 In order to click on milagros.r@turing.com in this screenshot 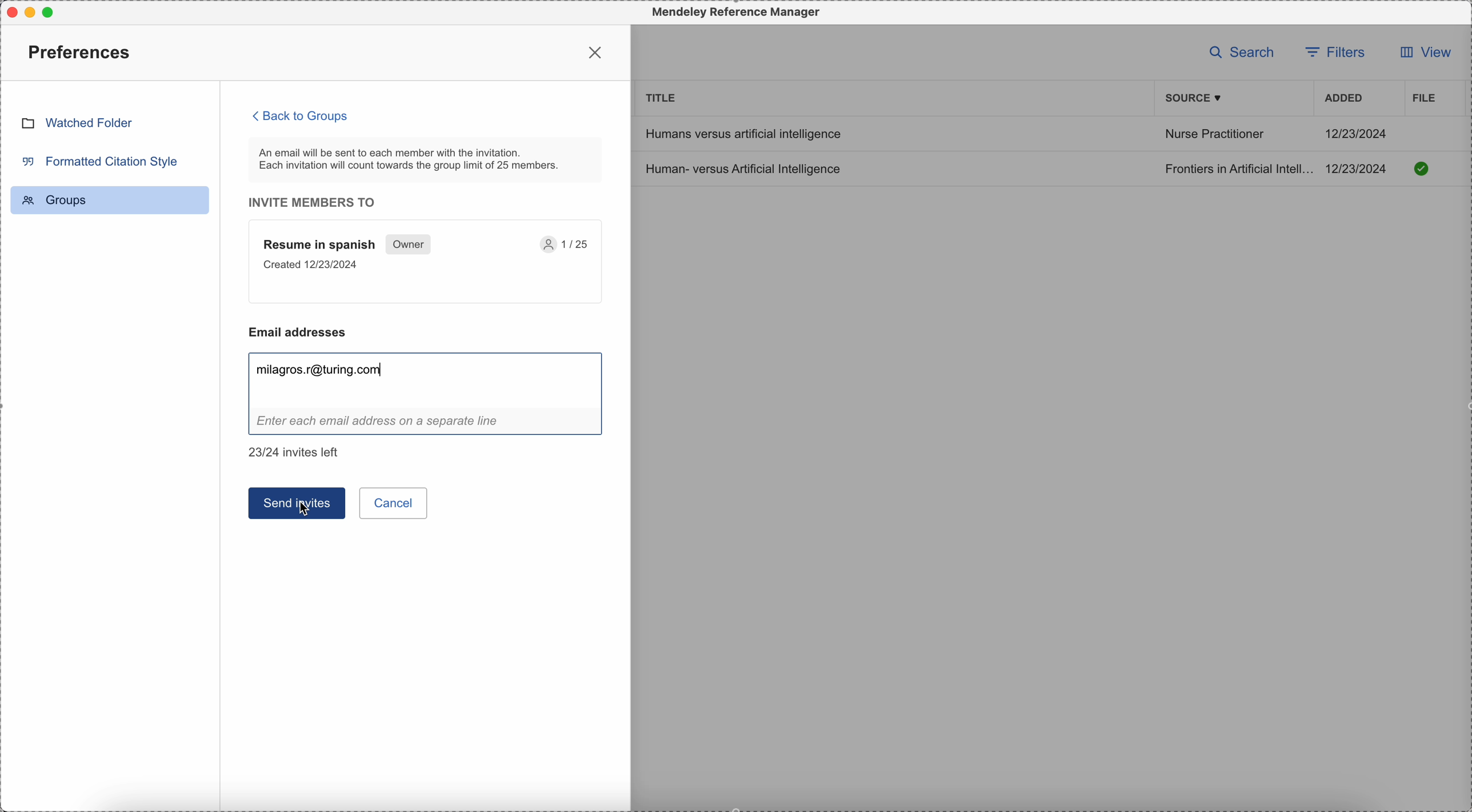, I will do `click(323, 370)`.